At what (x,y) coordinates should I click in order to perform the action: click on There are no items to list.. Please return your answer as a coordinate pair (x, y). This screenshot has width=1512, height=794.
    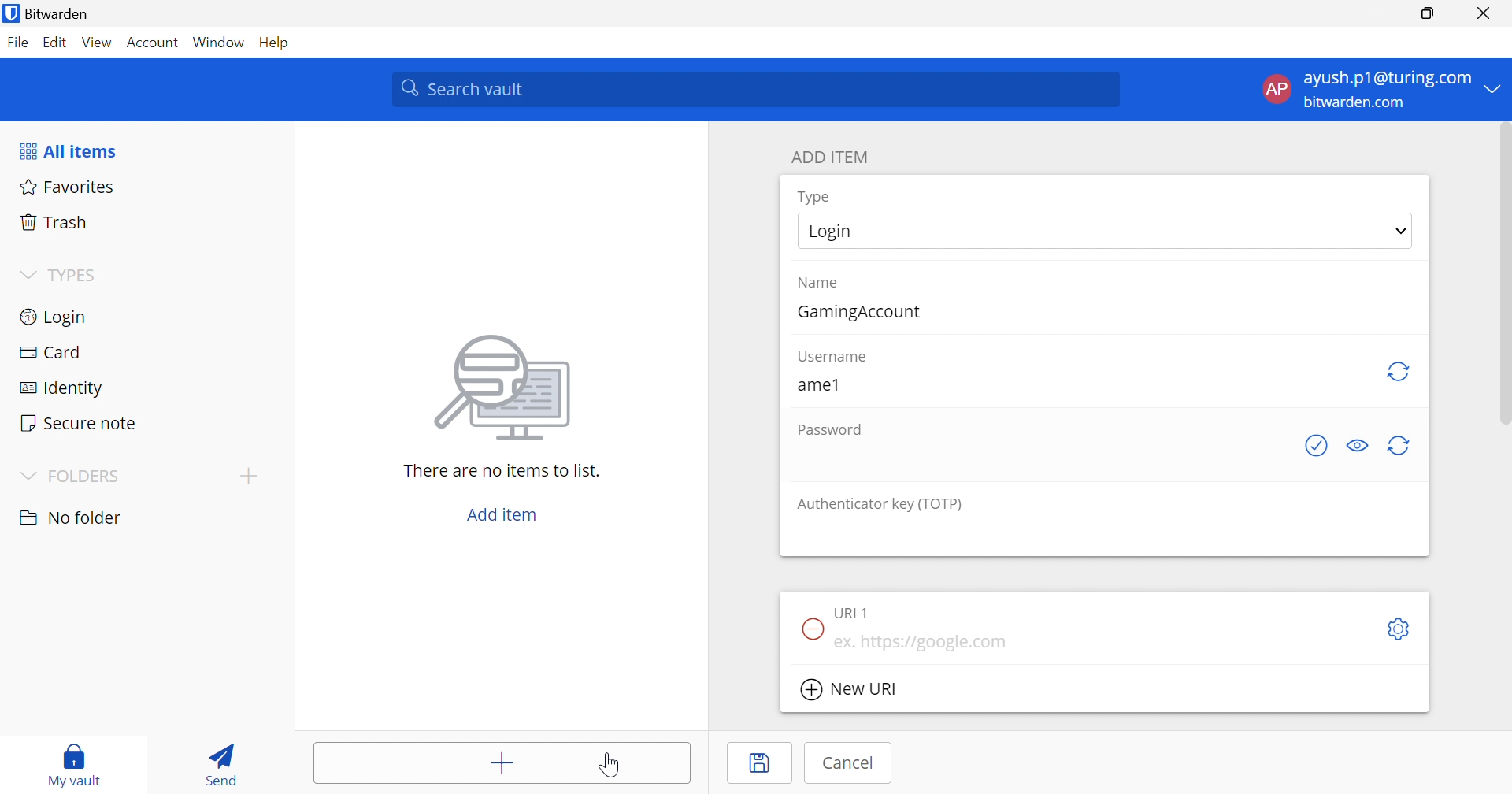
    Looking at the image, I should click on (502, 473).